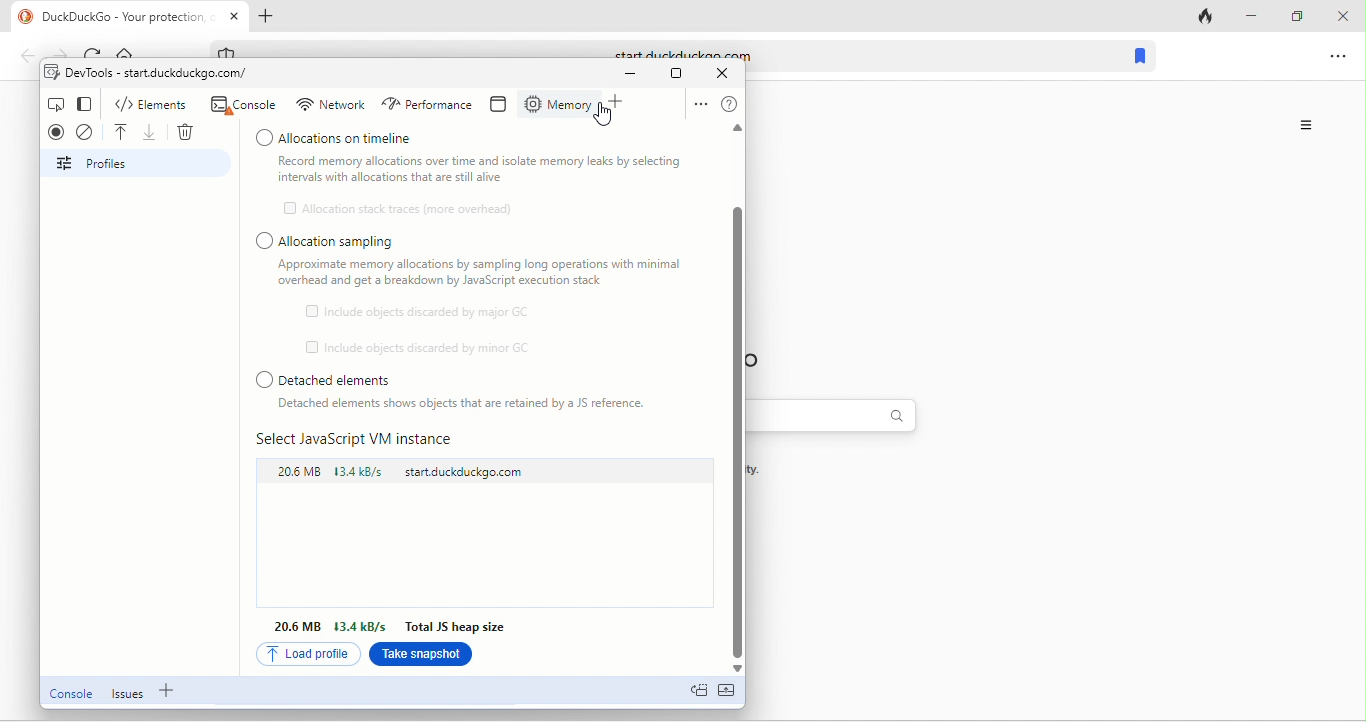  What do you see at coordinates (729, 131) in the screenshot?
I see `move up` at bounding box center [729, 131].